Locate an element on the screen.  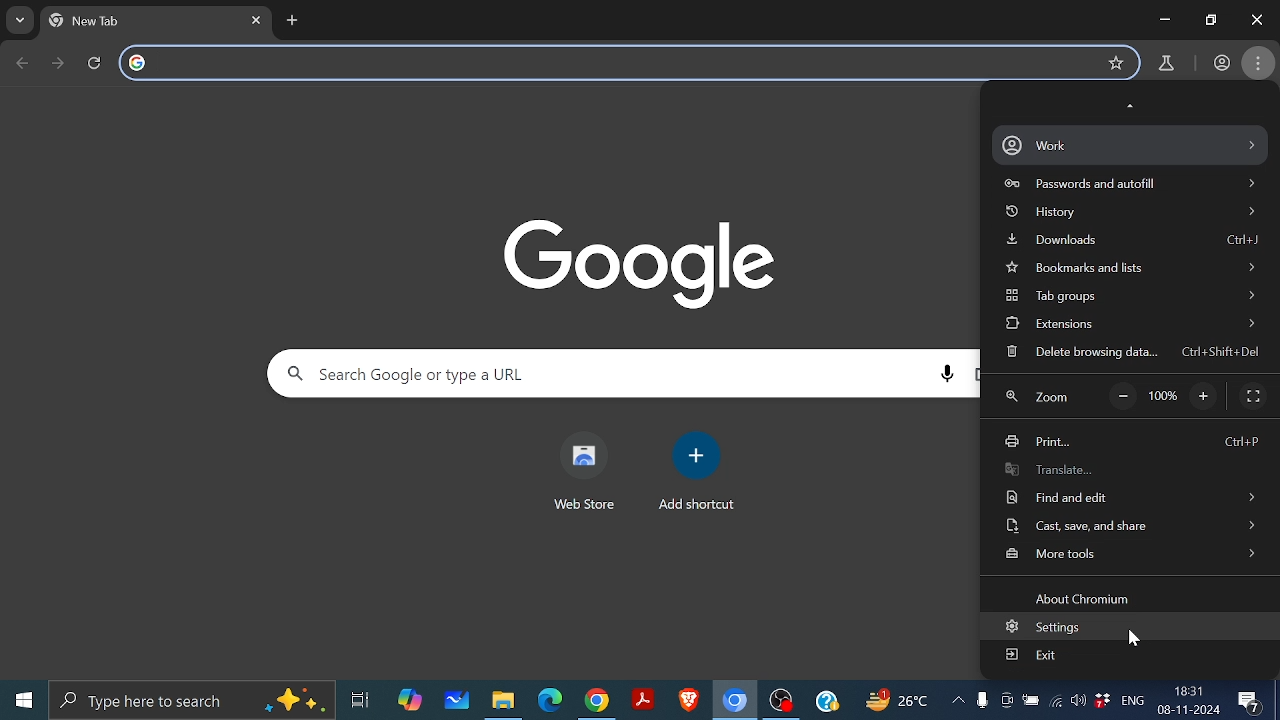
Cursor is located at coordinates (1133, 639).